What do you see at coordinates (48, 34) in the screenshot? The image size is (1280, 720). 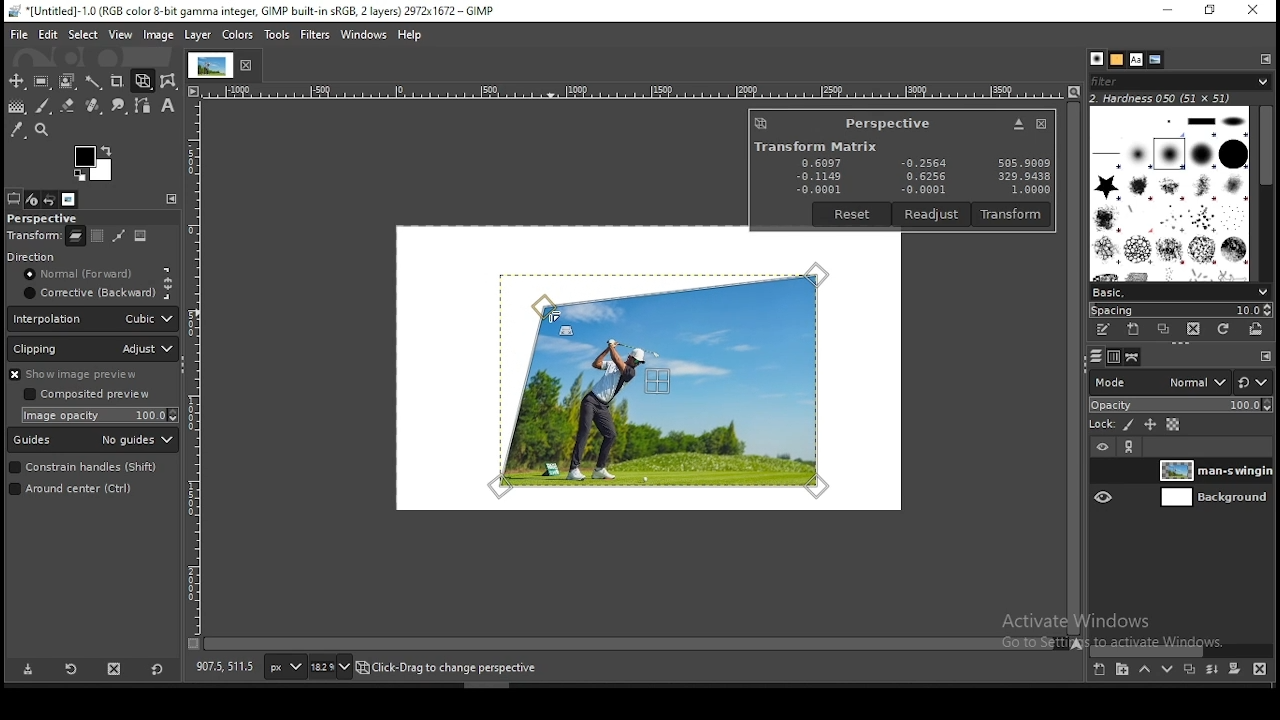 I see `edit` at bounding box center [48, 34].